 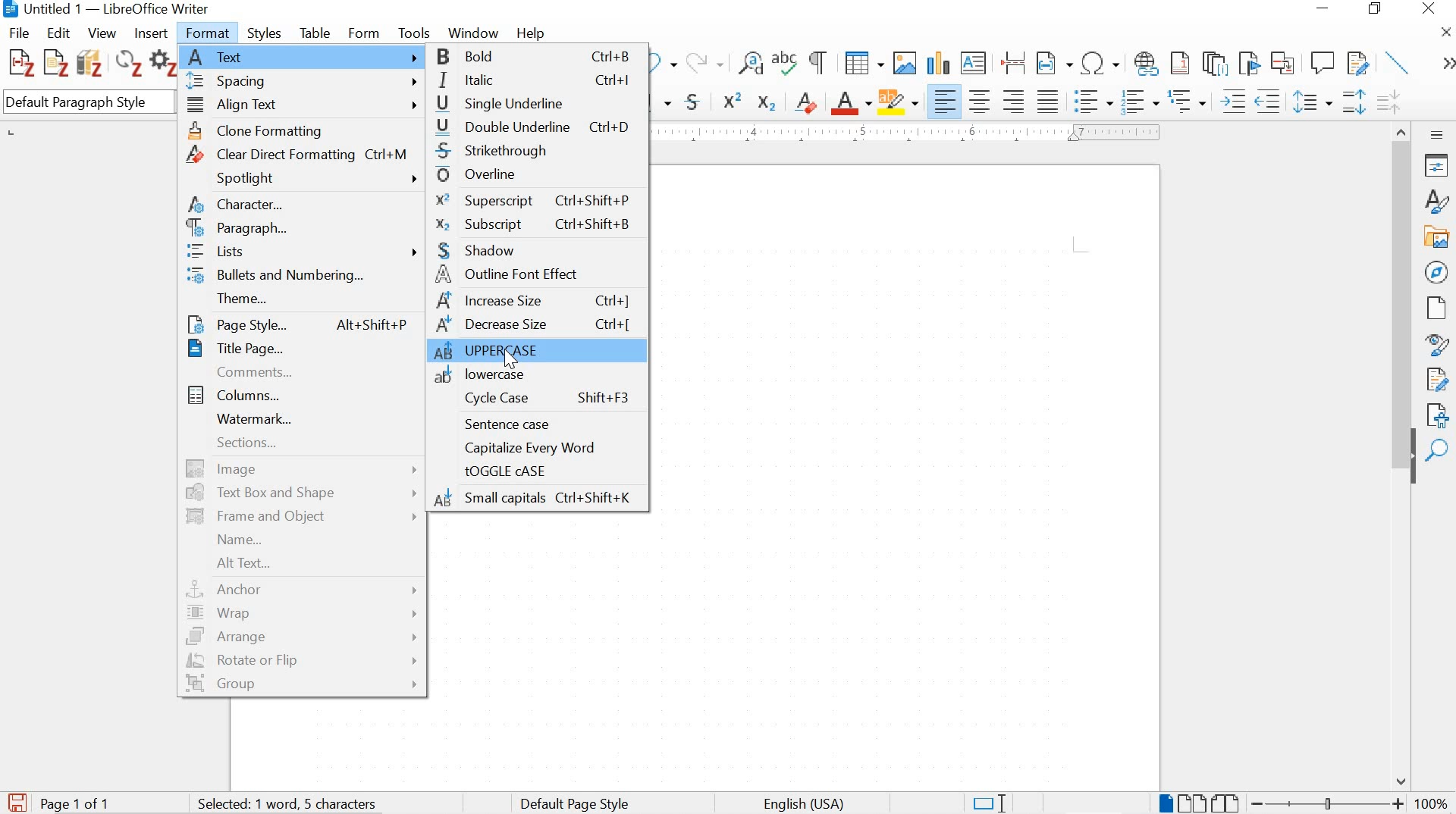 I want to click on strikethrough, so click(x=540, y=152).